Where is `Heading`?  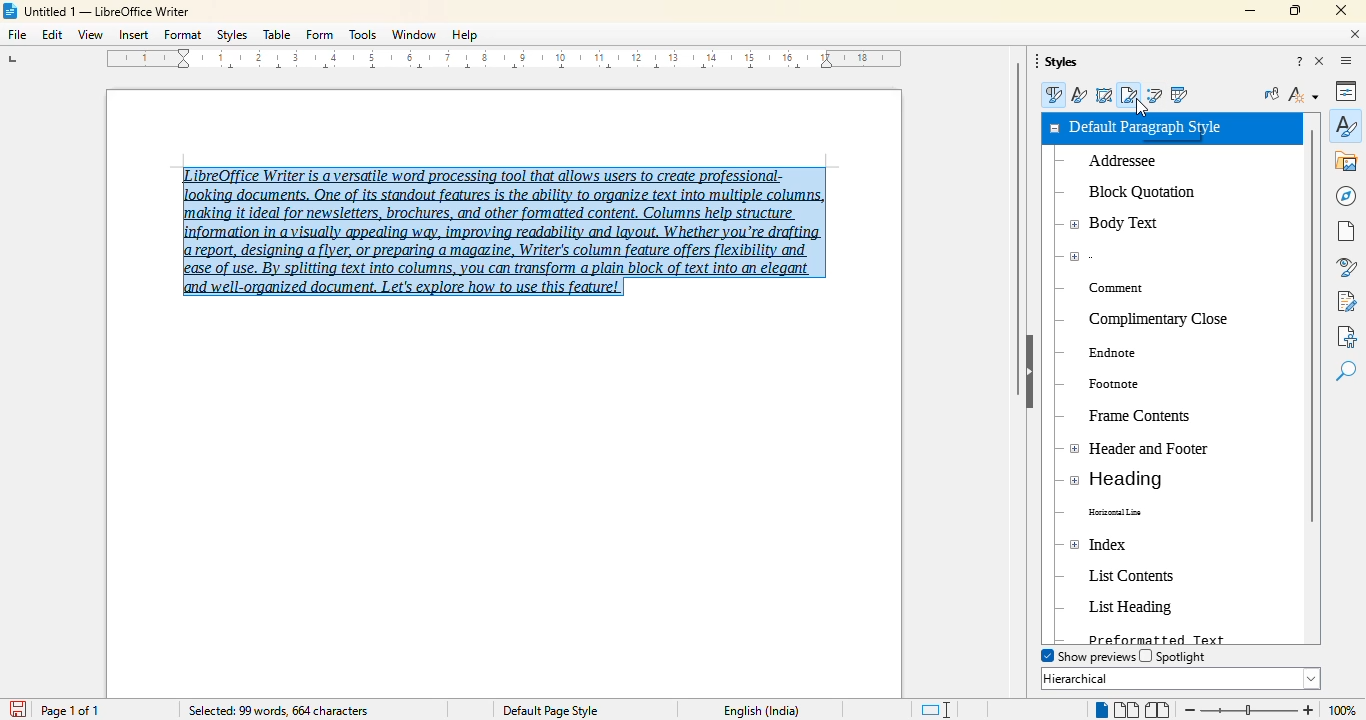
Heading is located at coordinates (1137, 480).